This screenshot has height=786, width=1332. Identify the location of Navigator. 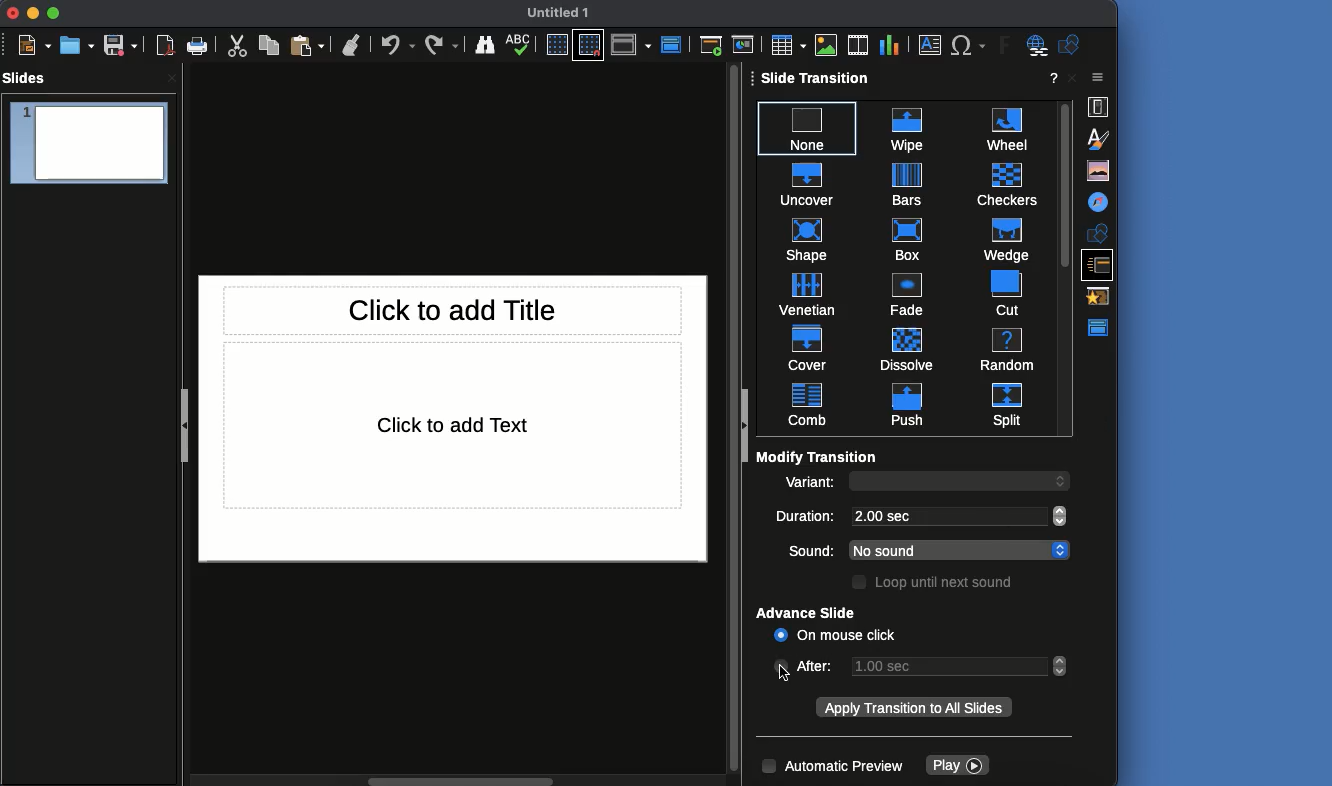
(1099, 202).